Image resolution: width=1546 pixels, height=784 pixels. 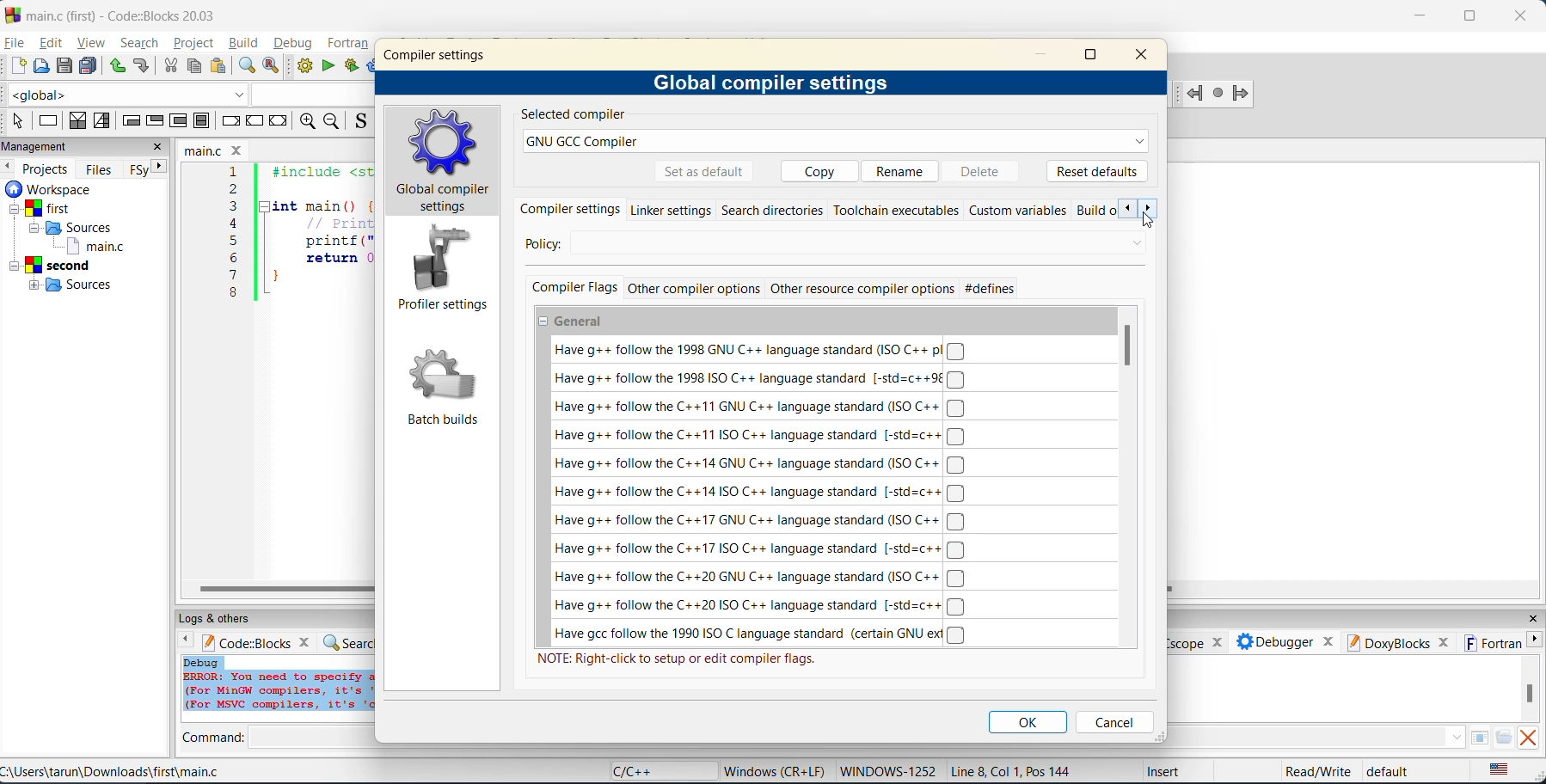 I want to click on cancel, so click(x=1113, y=722).